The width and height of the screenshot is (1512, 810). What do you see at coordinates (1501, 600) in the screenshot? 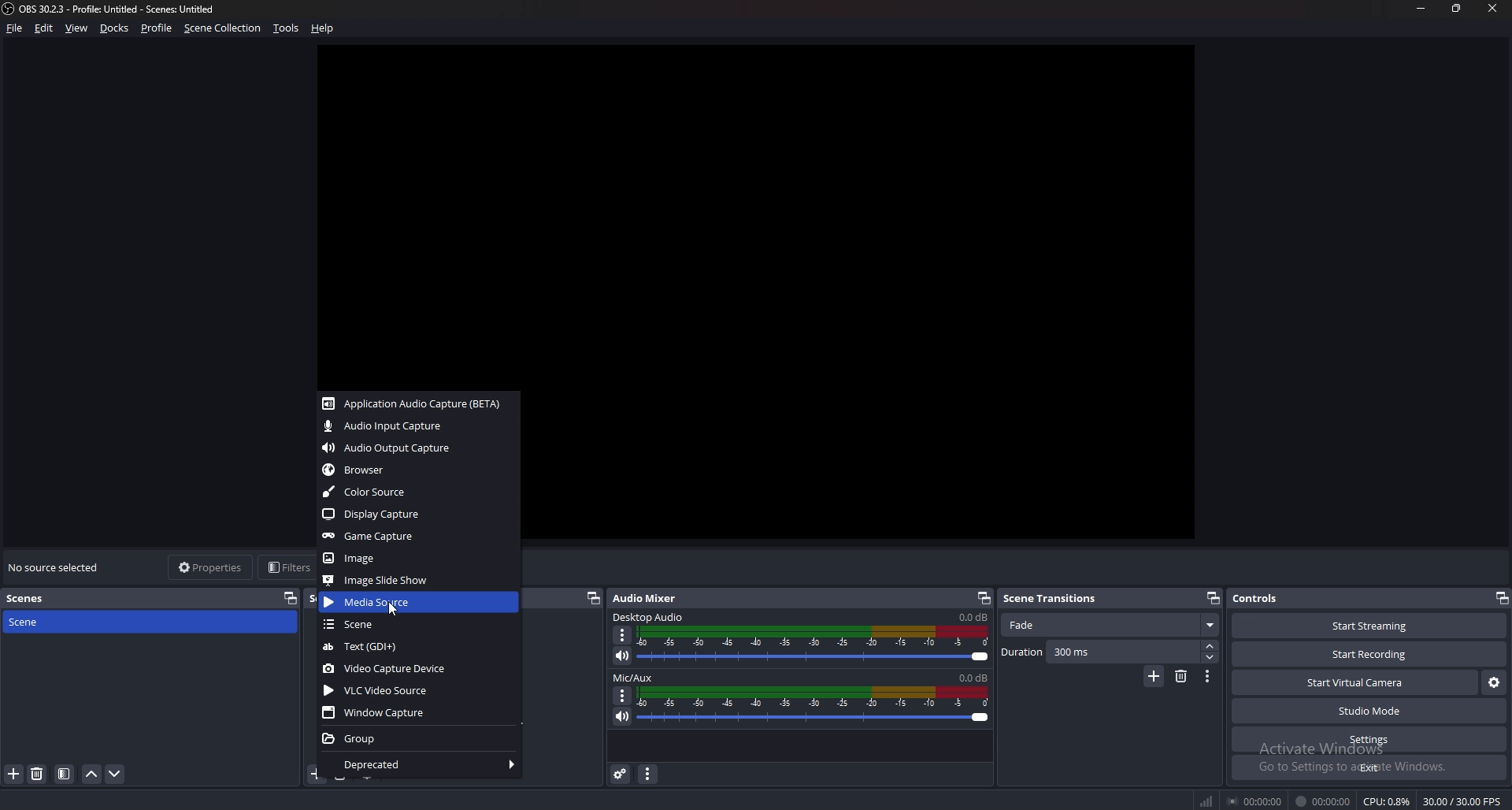
I see `pop out` at bounding box center [1501, 600].